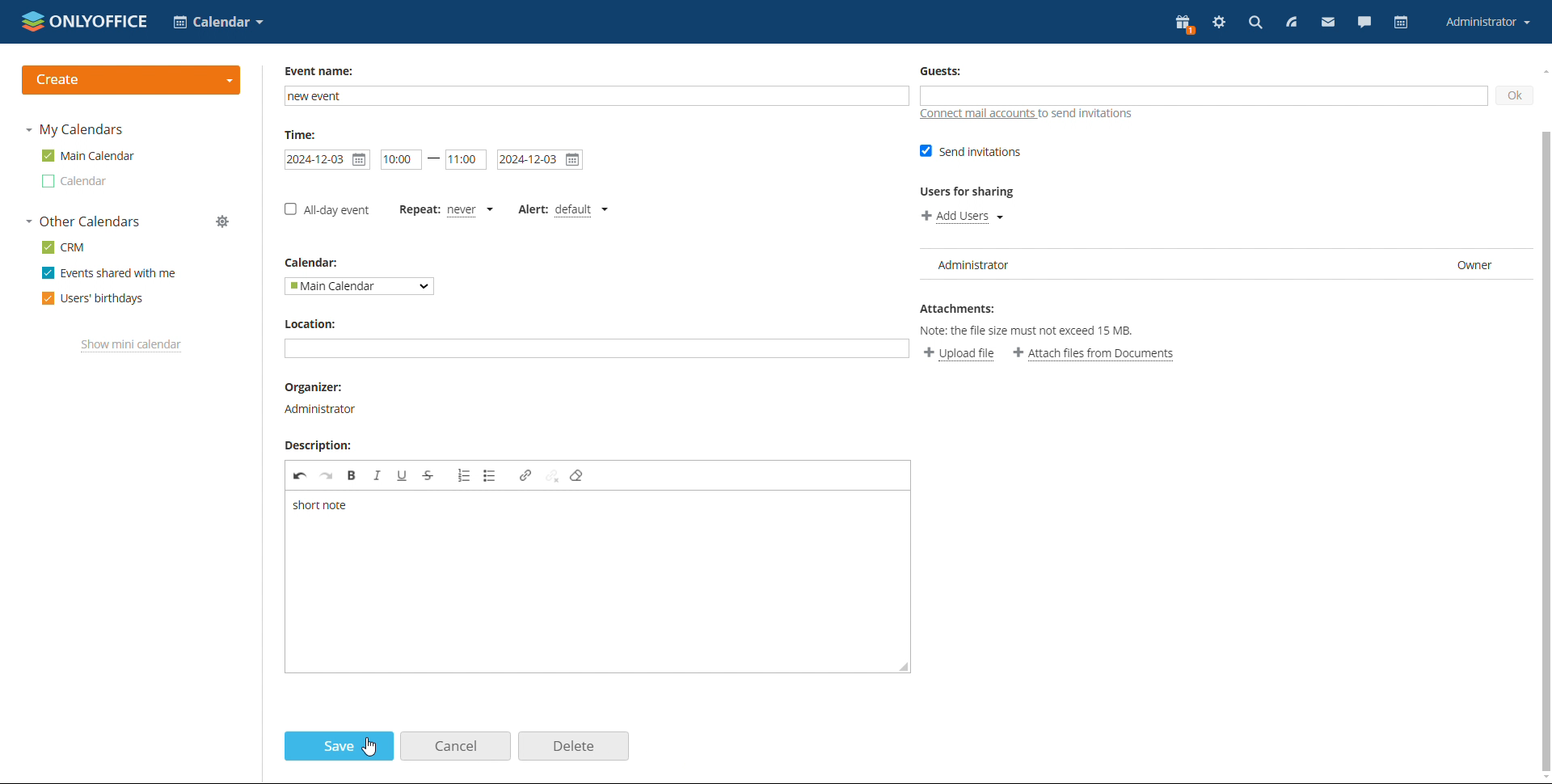 This screenshot has width=1552, height=784. Describe the element at coordinates (77, 129) in the screenshot. I see `my calendars` at that location.